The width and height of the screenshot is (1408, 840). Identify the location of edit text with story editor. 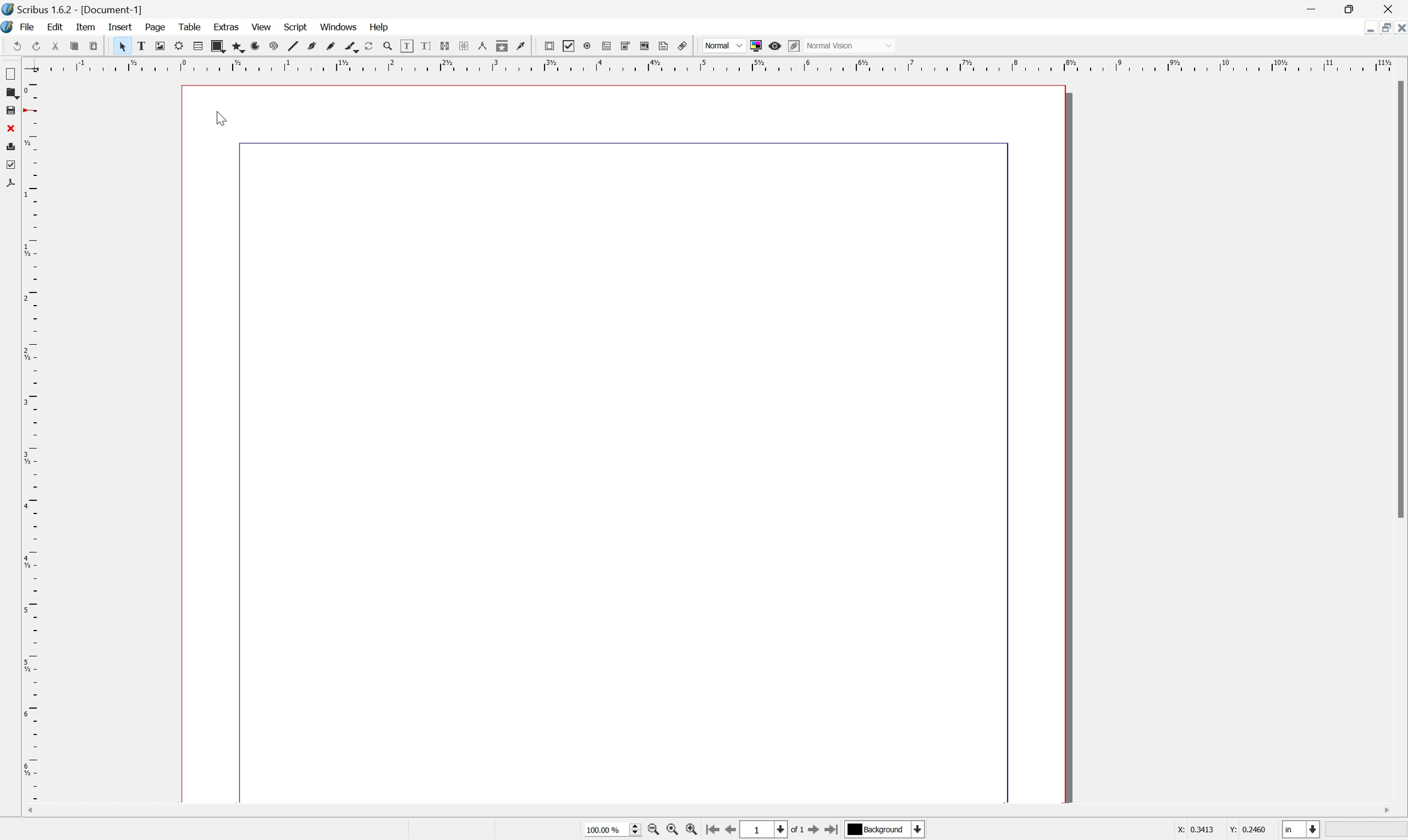
(568, 46).